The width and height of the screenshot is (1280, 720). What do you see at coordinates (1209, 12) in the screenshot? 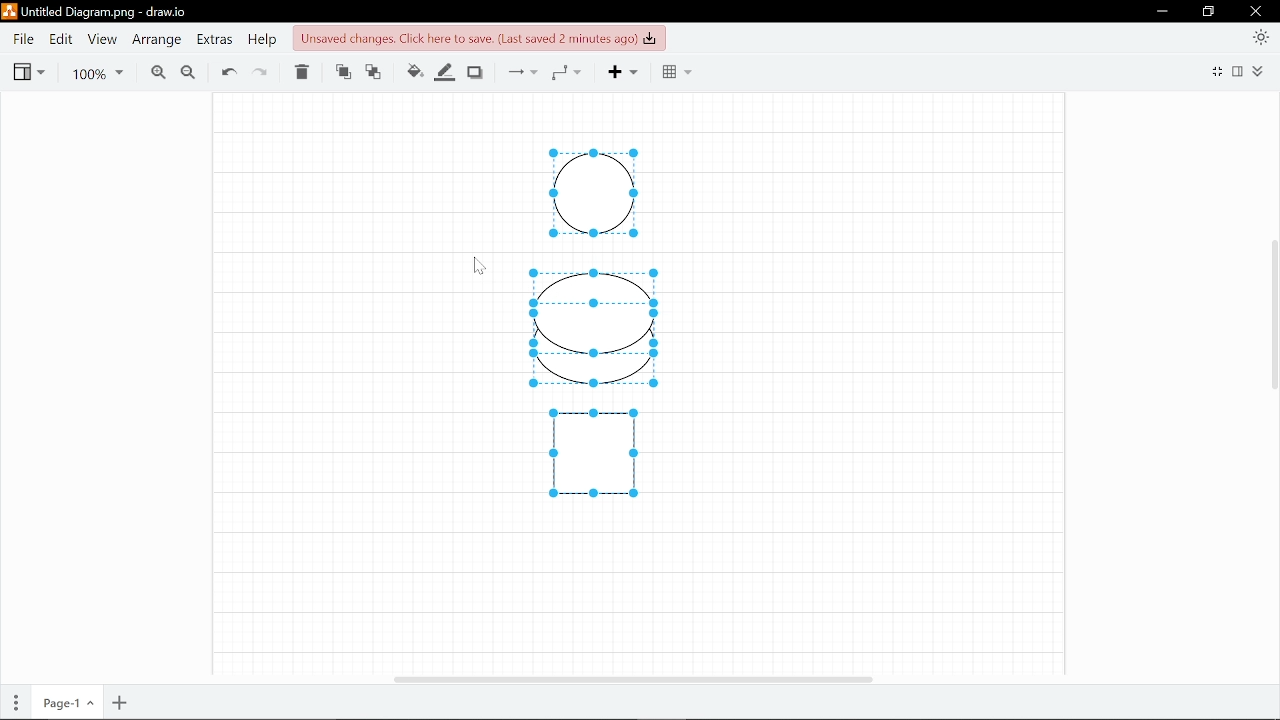
I see `Restore down` at bounding box center [1209, 12].